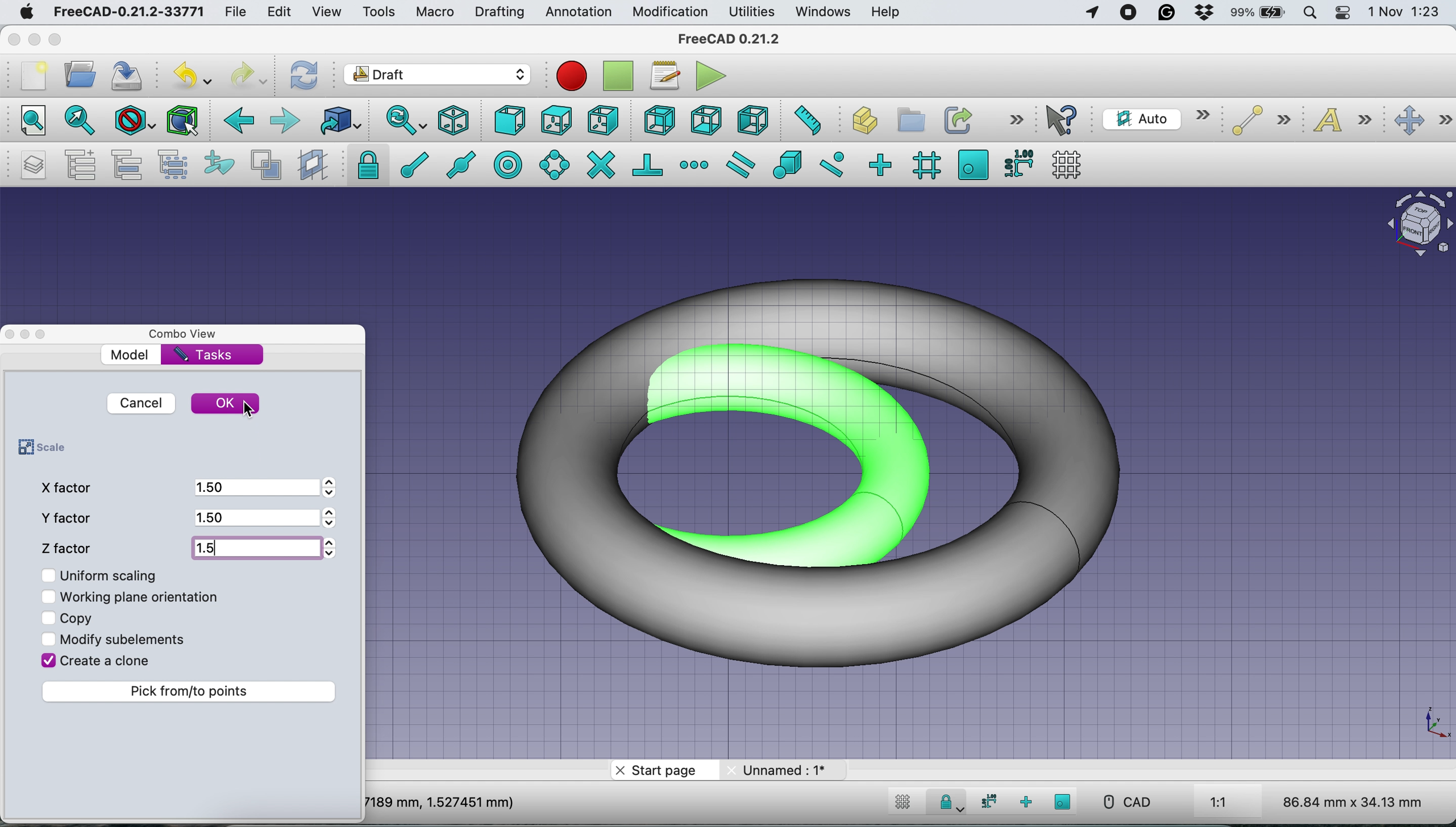 This screenshot has height=827, width=1456. I want to click on cancel, so click(140, 403).